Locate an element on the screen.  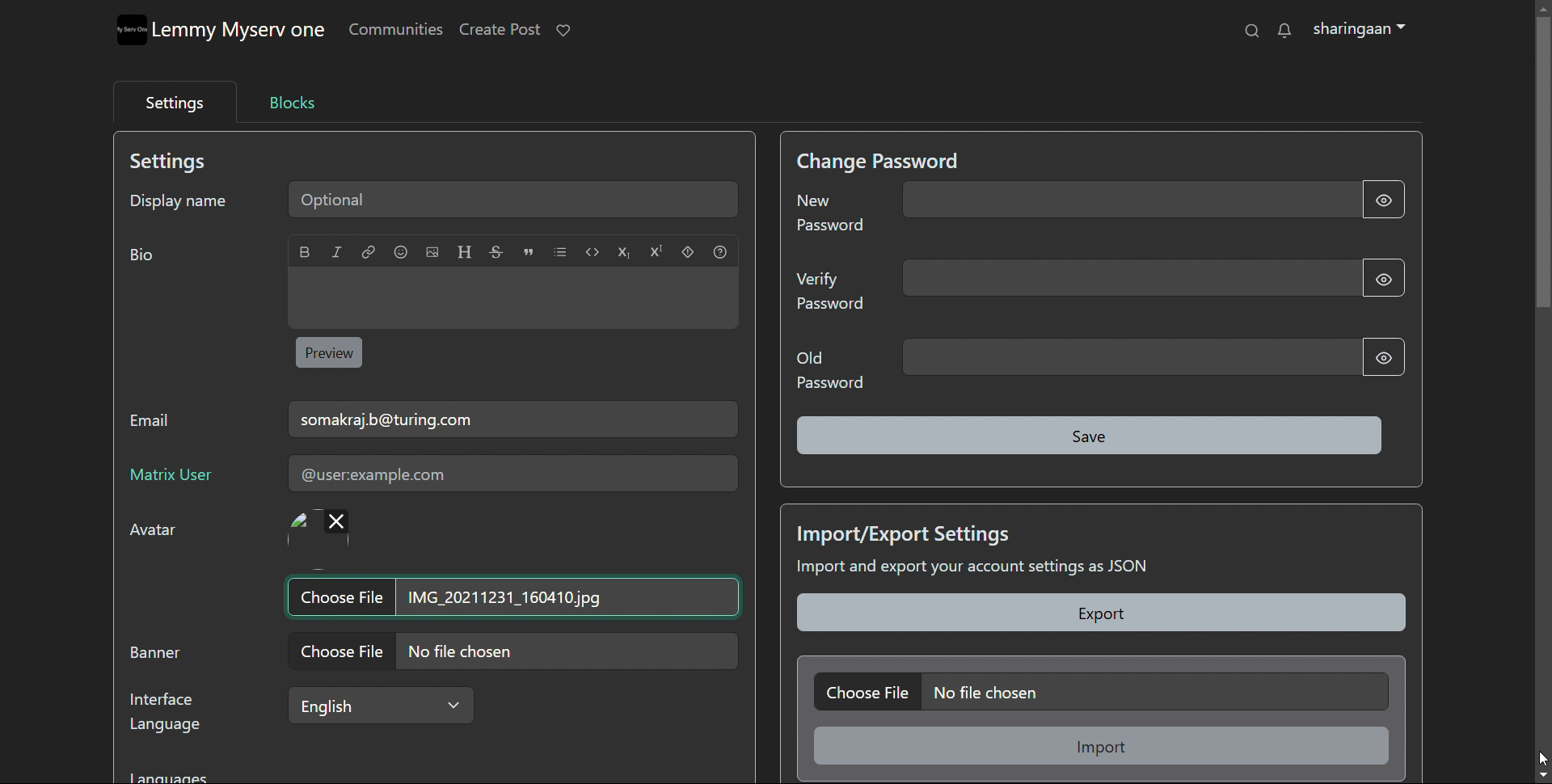
remove avatar is located at coordinates (336, 521).